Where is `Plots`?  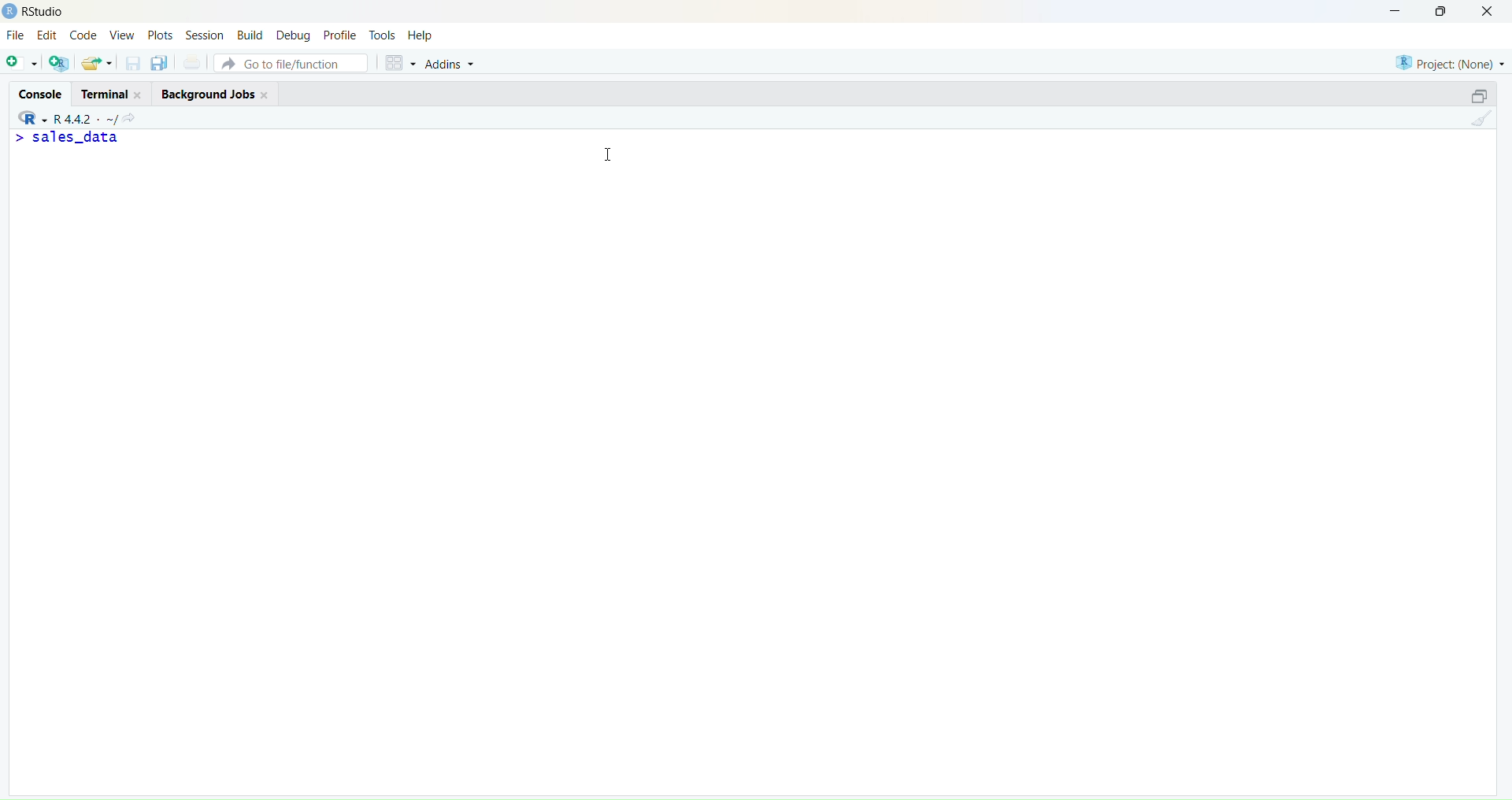 Plots is located at coordinates (160, 33).